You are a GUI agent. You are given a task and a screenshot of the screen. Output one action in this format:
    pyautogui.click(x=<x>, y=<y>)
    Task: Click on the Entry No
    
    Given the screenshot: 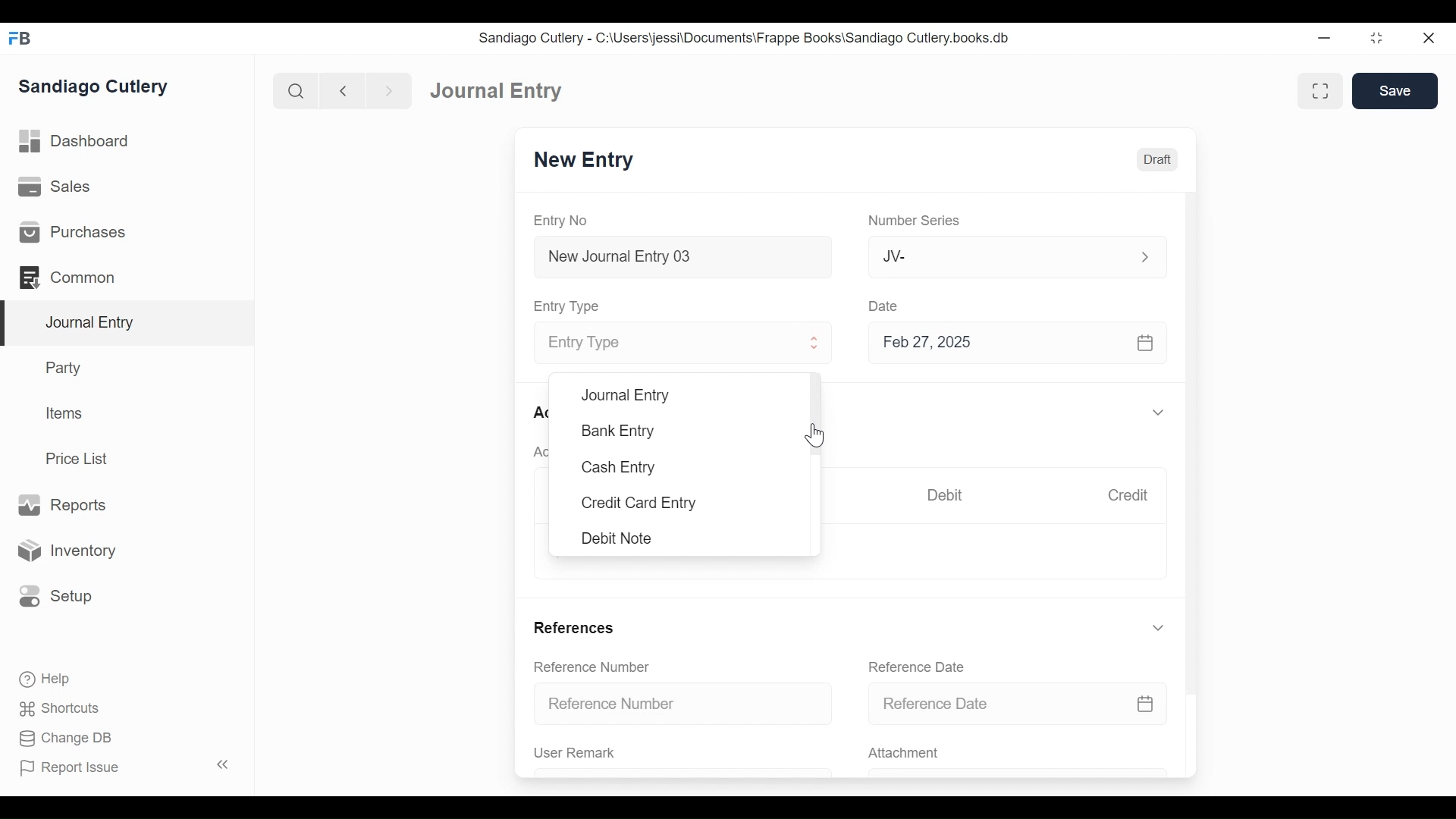 What is the action you would take?
    pyautogui.click(x=560, y=221)
    